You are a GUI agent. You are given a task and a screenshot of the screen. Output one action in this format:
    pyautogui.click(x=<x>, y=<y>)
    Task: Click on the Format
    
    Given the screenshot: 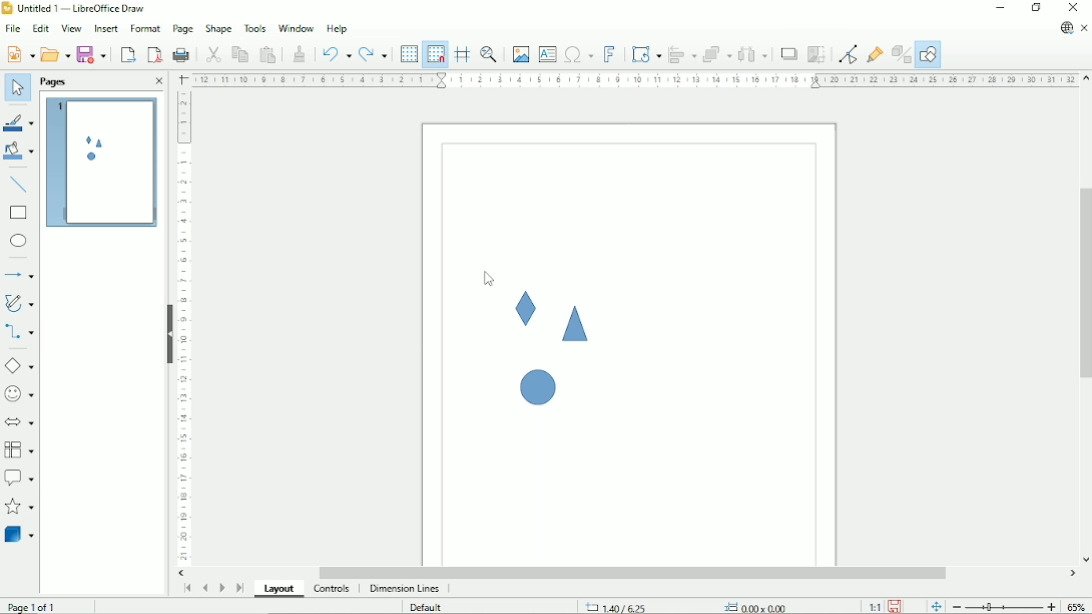 What is the action you would take?
    pyautogui.click(x=144, y=27)
    